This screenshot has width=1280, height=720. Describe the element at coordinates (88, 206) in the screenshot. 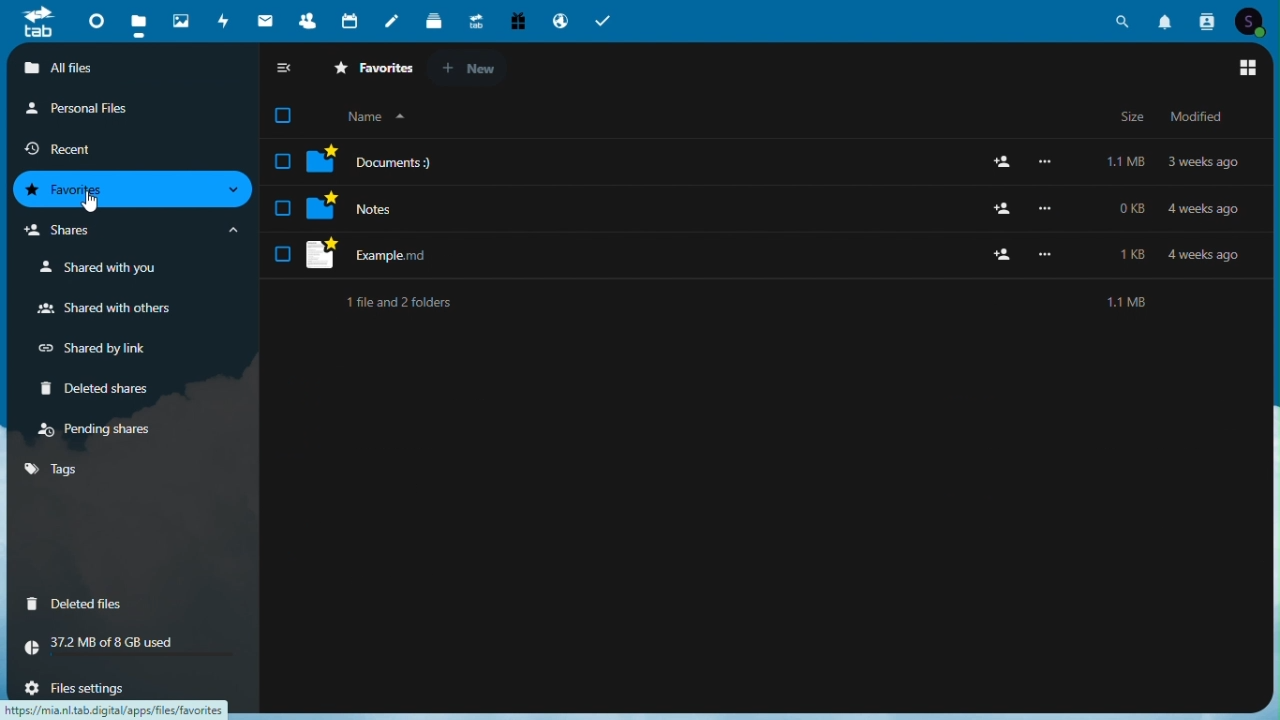

I see `` at that location.